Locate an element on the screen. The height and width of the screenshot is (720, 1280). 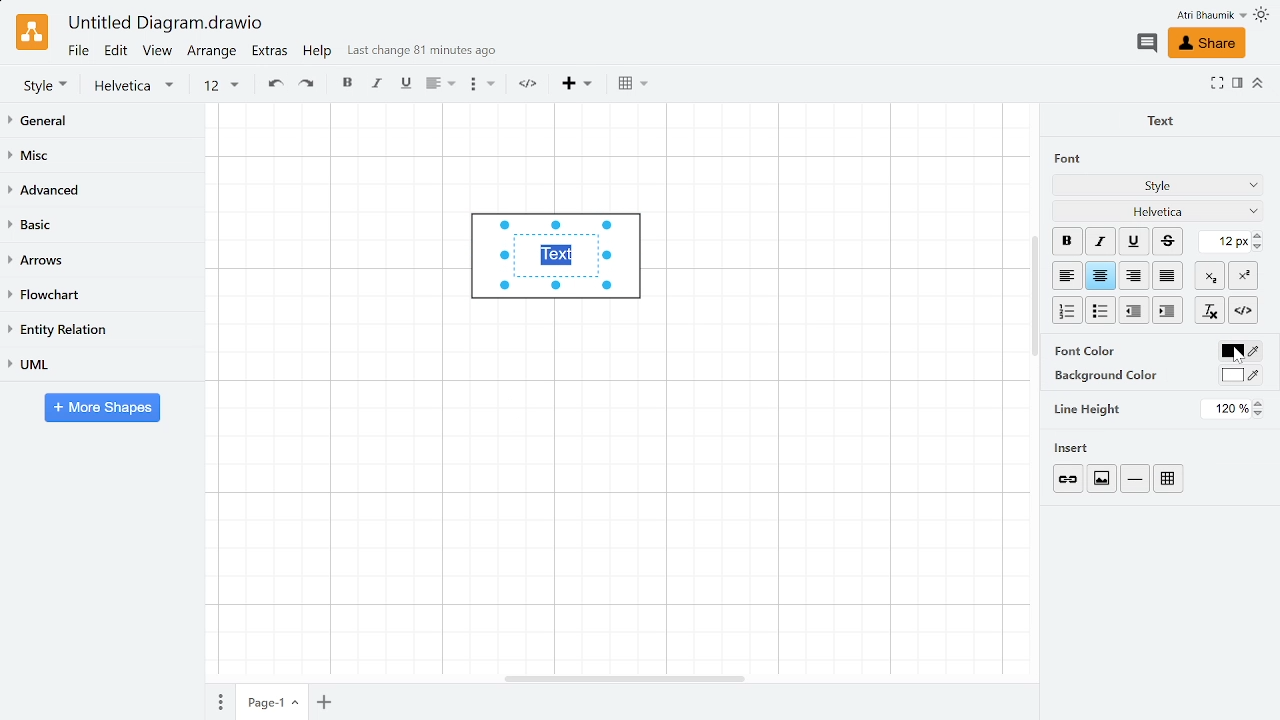
Horizontal scrollbar is located at coordinates (626, 677).